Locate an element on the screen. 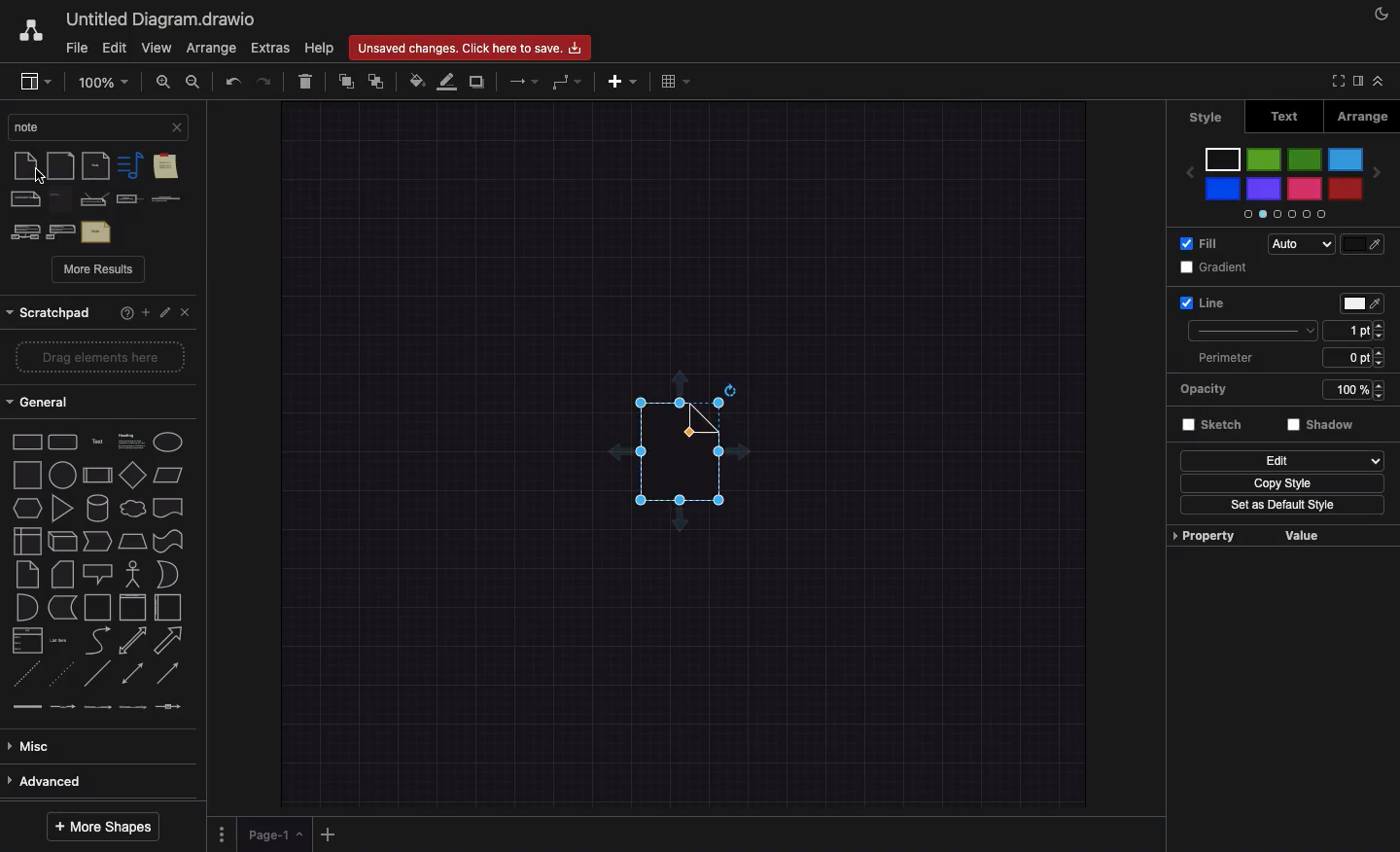  Text is located at coordinates (1288, 117).